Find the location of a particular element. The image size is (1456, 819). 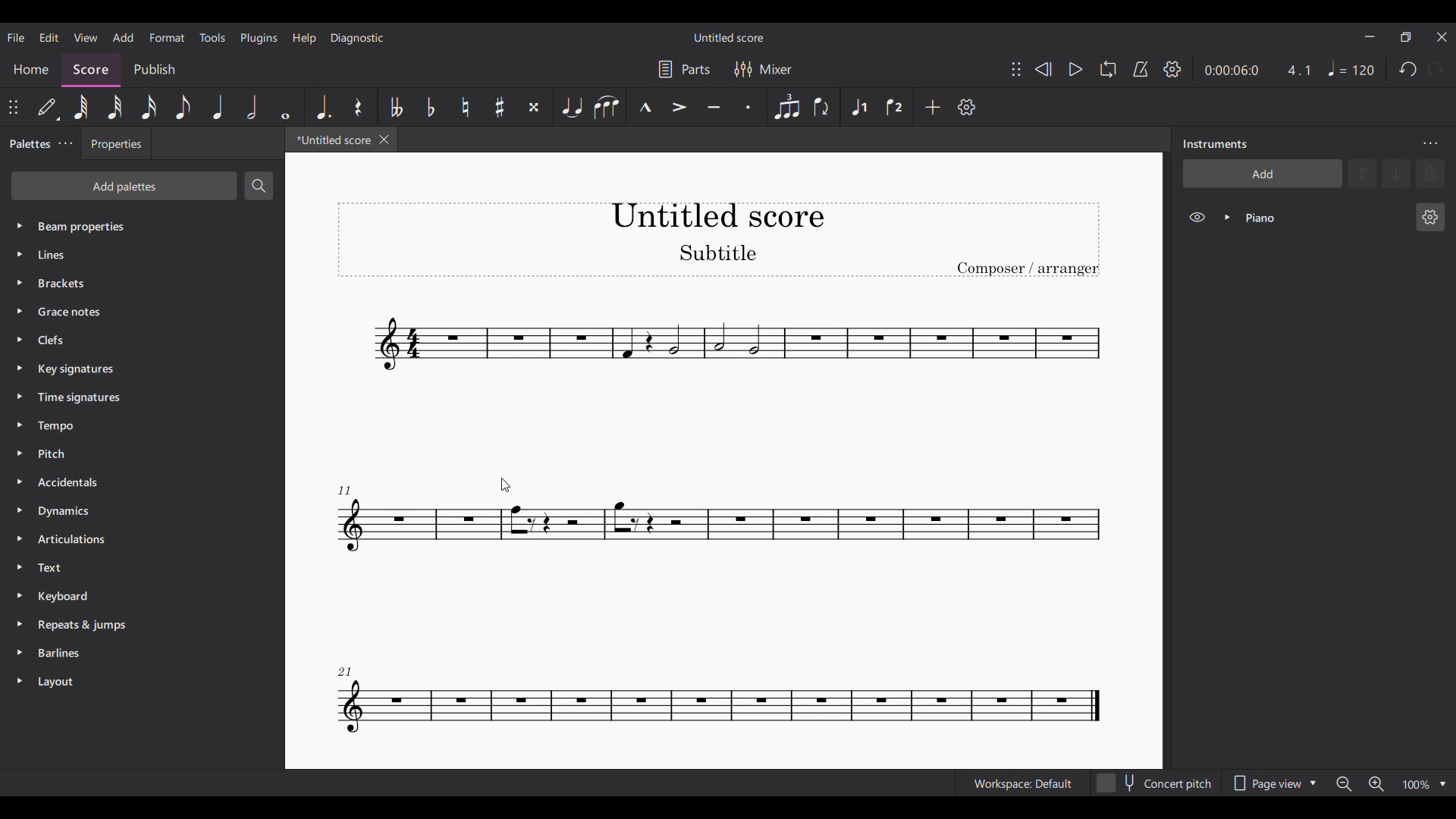

Tools menu is located at coordinates (213, 37).